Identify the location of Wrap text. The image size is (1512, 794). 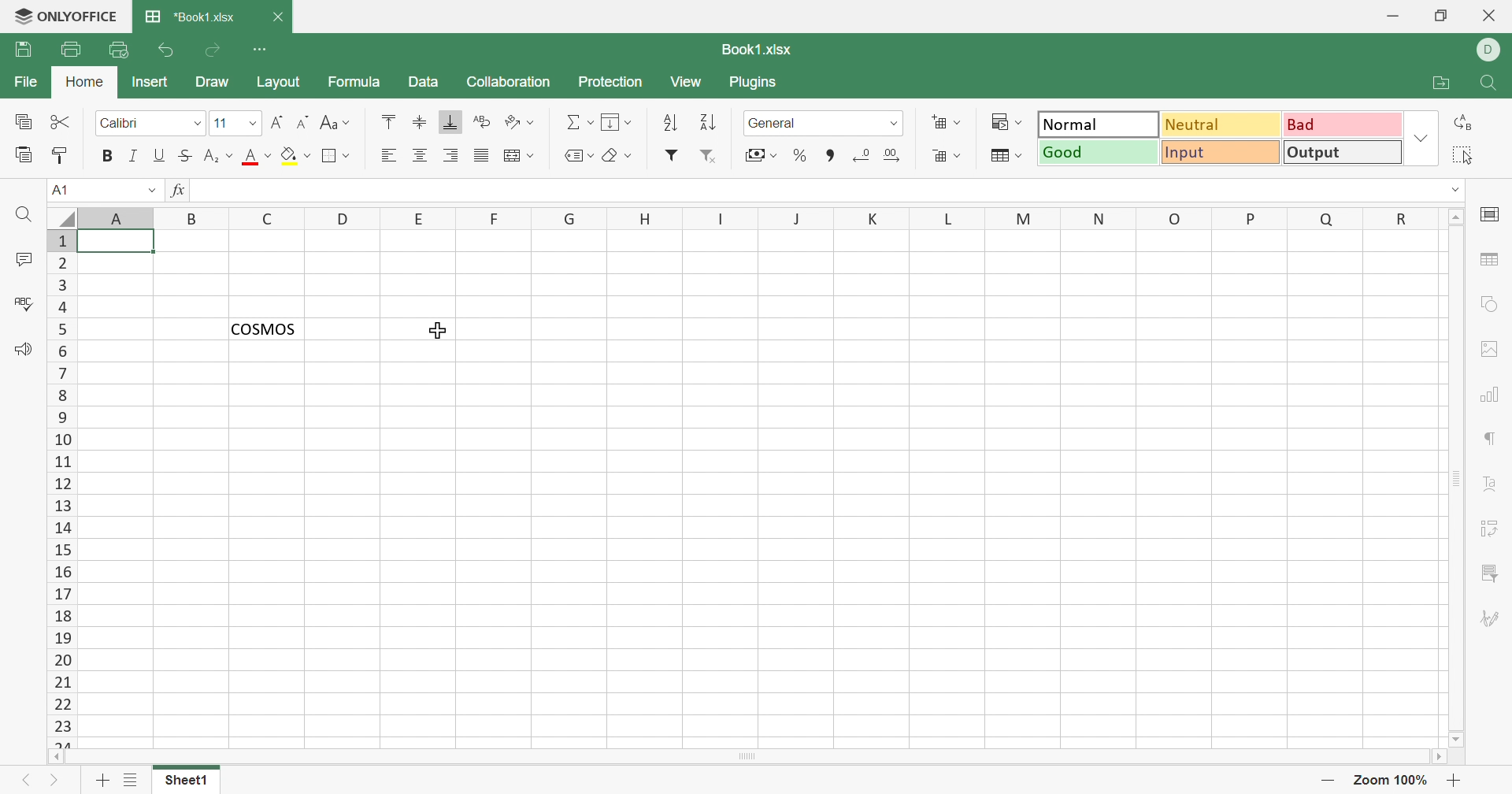
(481, 121).